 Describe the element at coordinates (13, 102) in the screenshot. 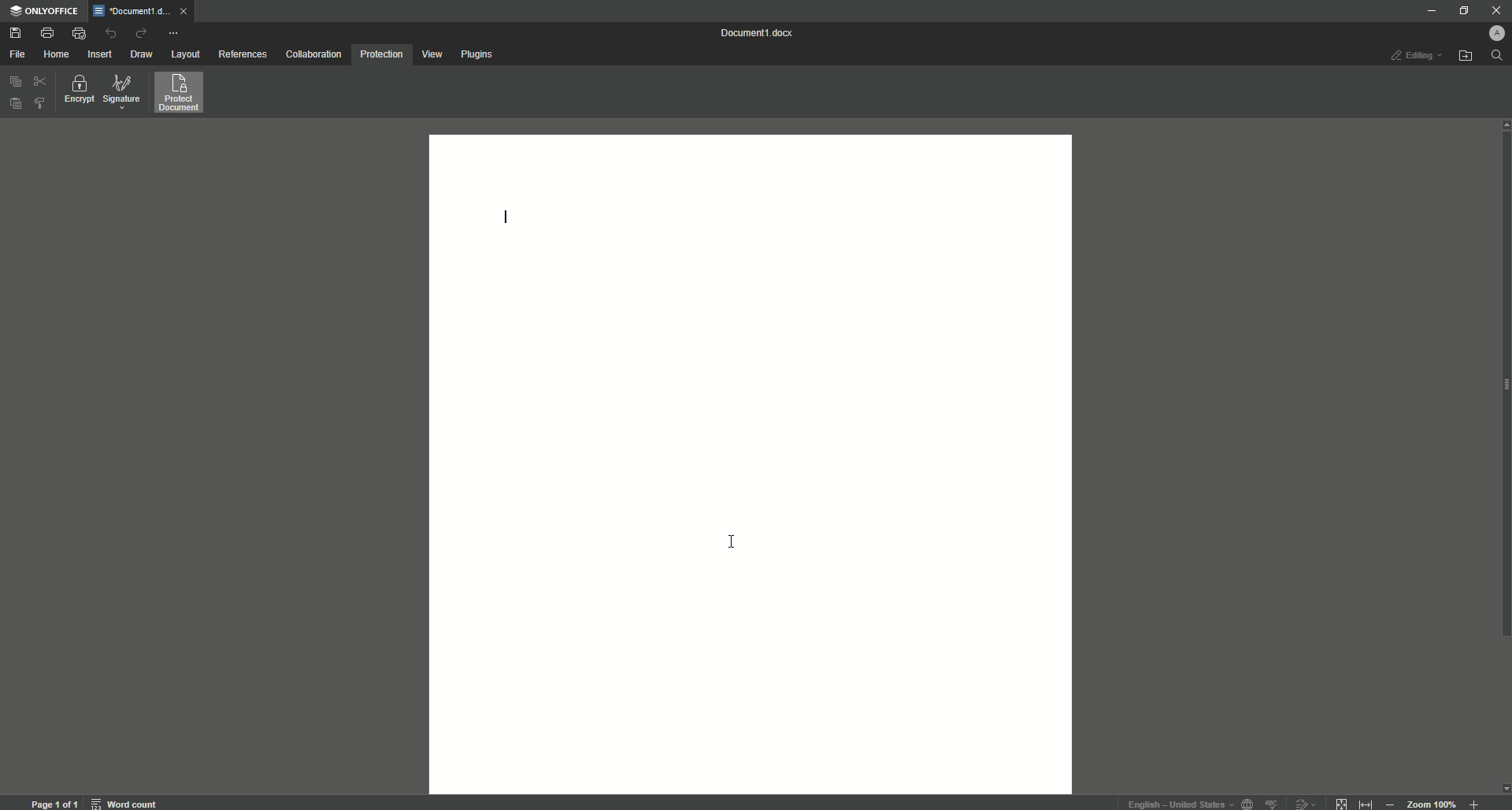

I see `Paste` at that location.